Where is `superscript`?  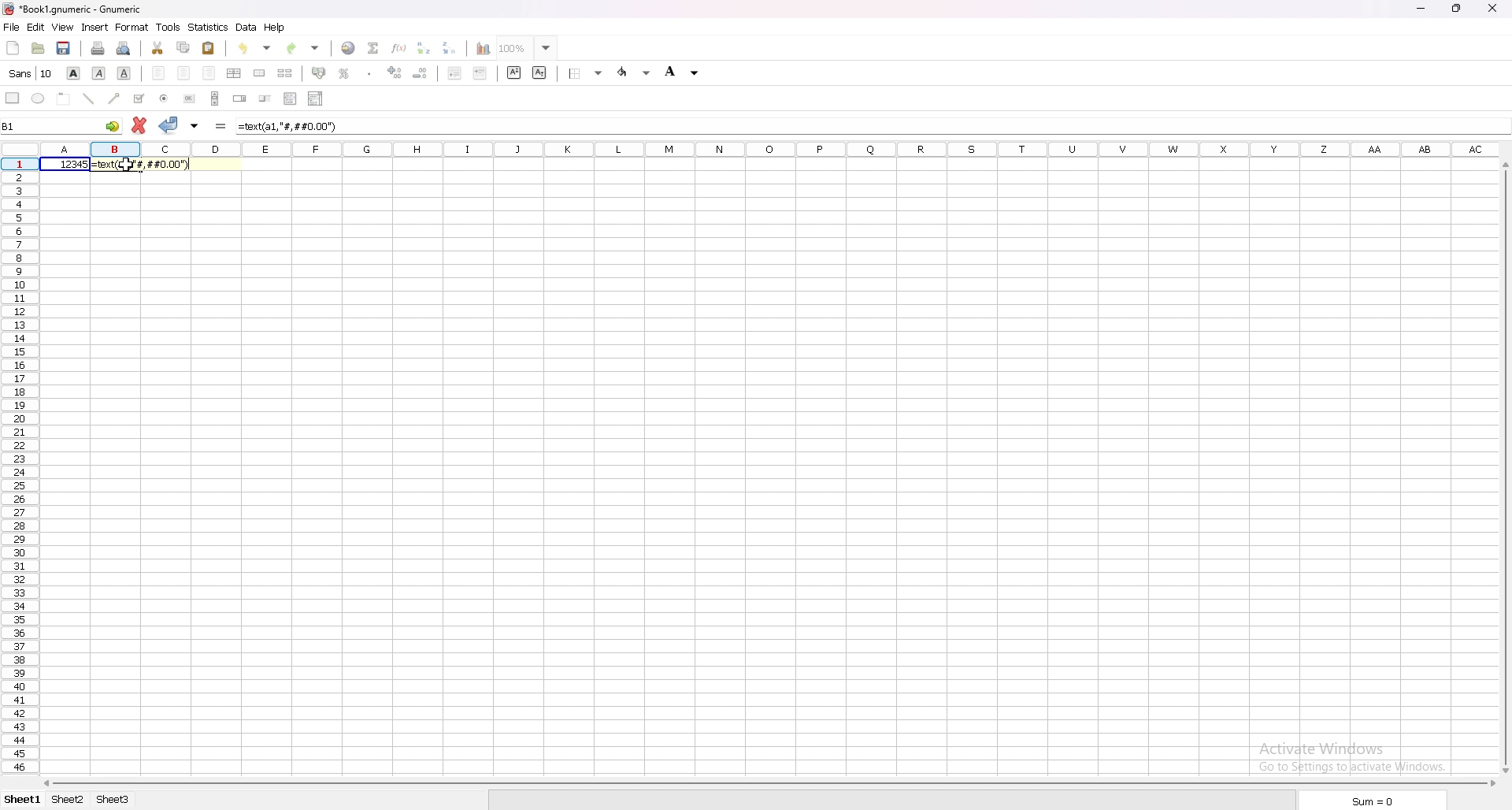
superscript is located at coordinates (514, 72).